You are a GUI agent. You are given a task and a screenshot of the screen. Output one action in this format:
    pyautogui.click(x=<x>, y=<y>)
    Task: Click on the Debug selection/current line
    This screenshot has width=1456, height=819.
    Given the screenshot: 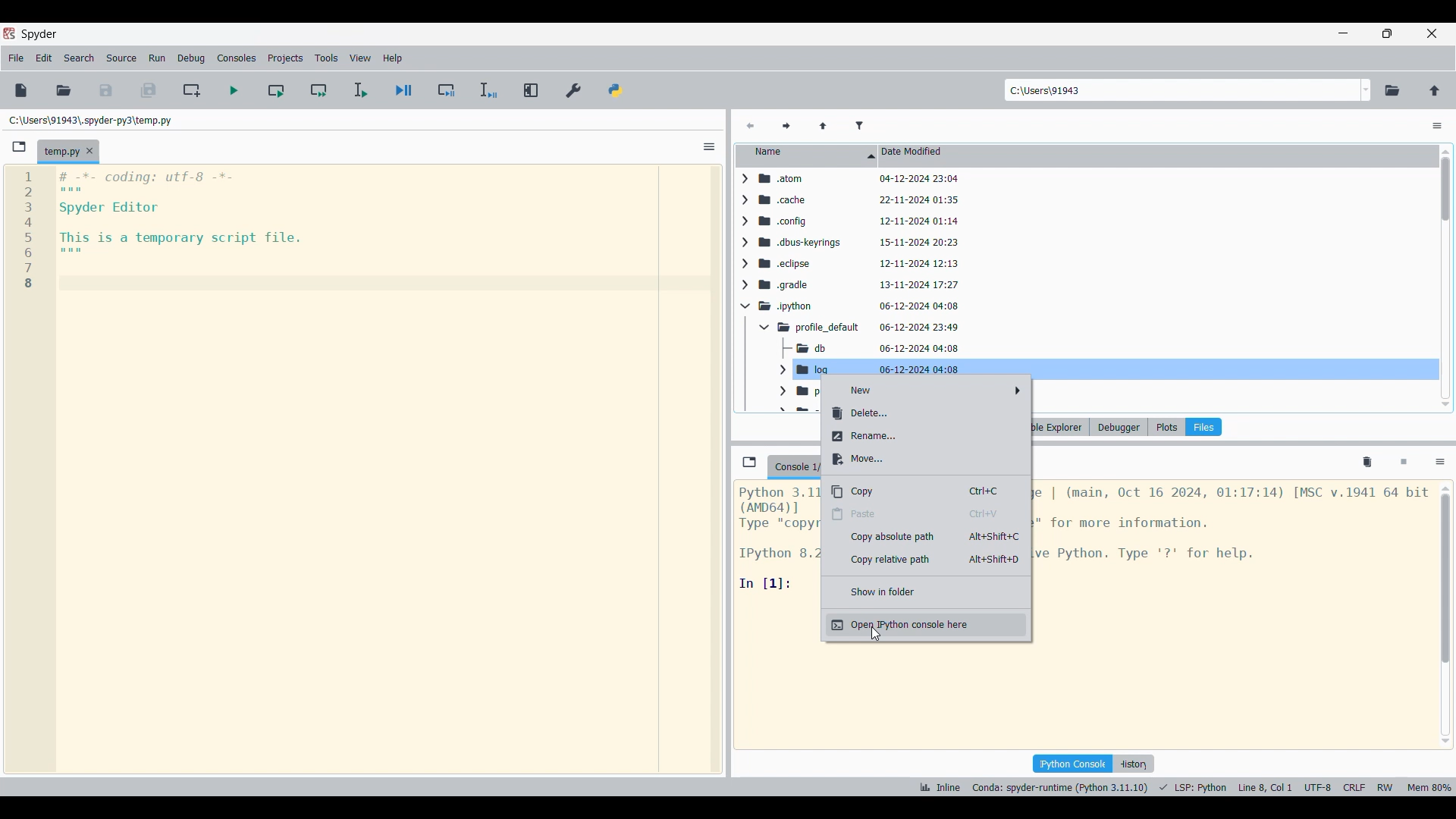 What is the action you would take?
    pyautogui.click(x=488, y=90)
    